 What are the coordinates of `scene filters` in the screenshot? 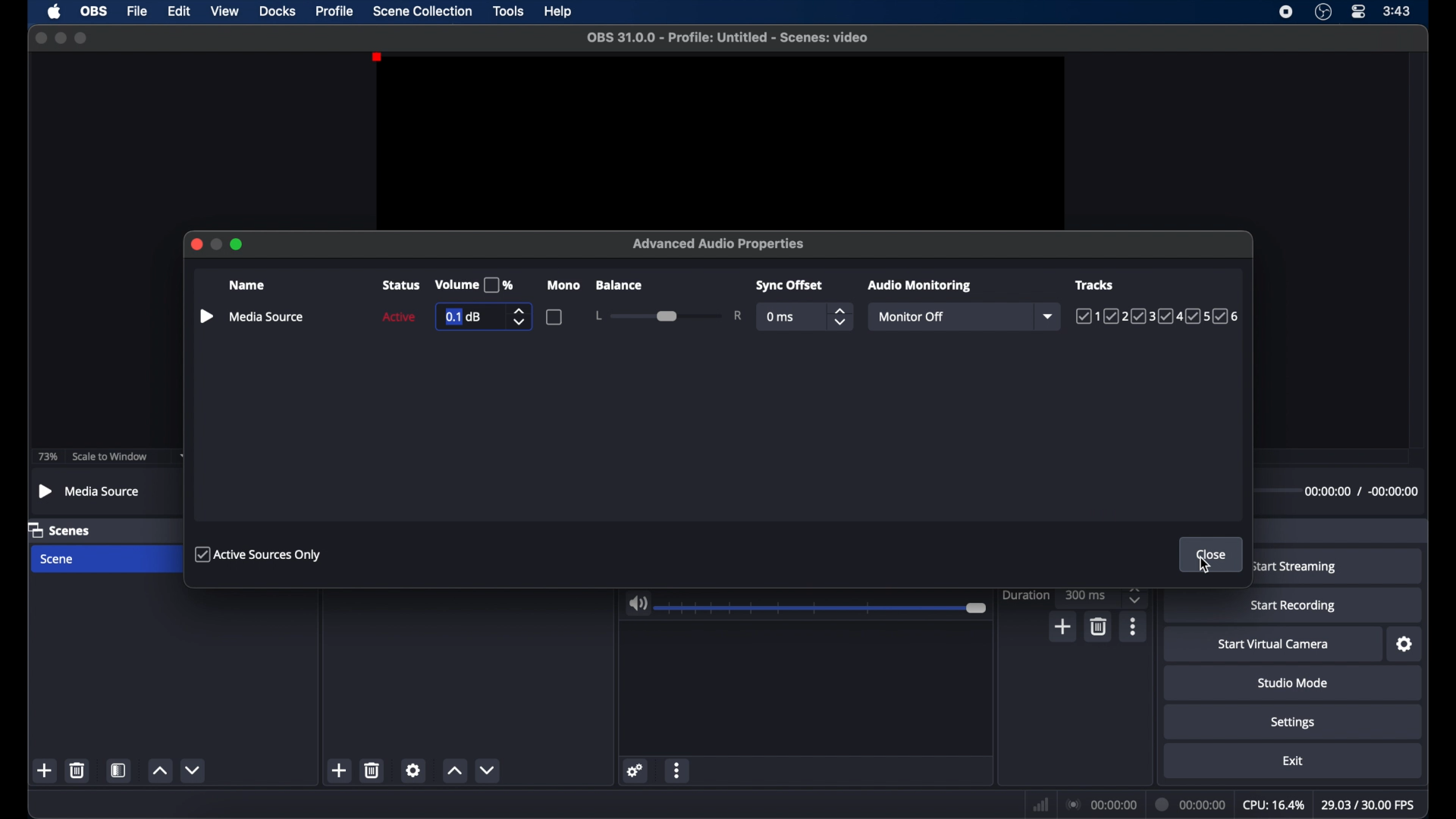 It's located at (119, 770).